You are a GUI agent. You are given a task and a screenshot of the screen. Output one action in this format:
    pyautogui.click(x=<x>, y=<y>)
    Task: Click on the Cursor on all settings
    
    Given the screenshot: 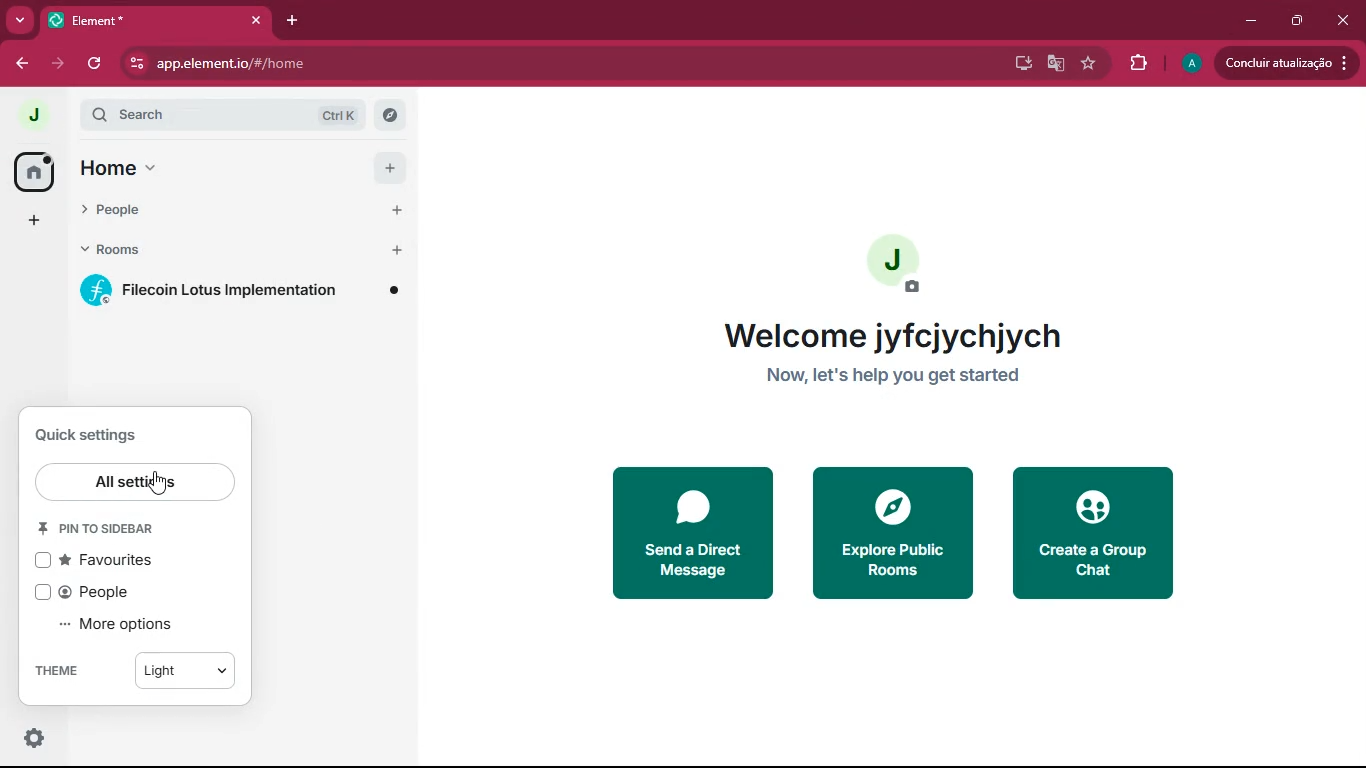 What is the action you would take?
    pyautogui.click(x=137, y=483)
    